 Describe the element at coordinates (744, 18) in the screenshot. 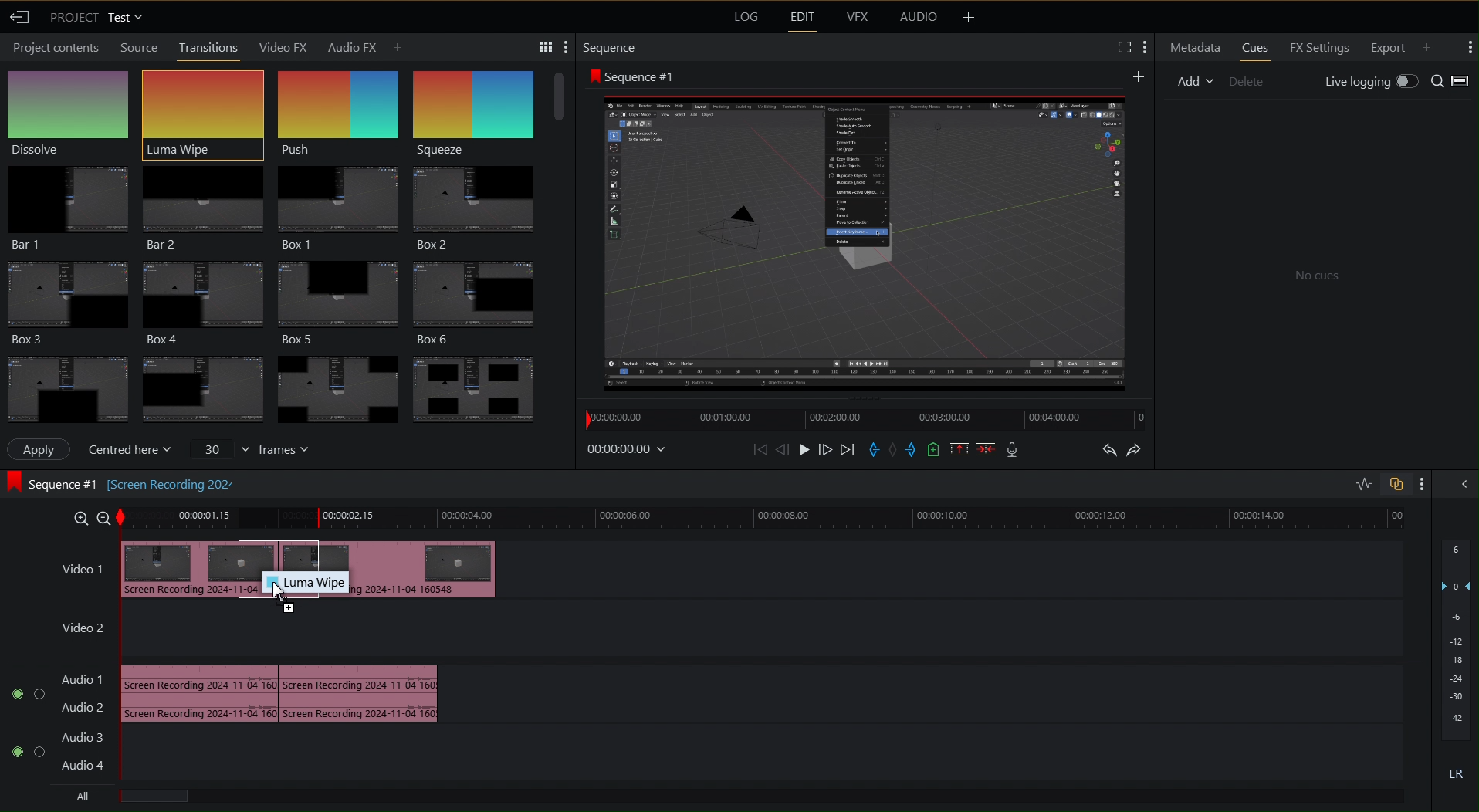

I see `Log` at that location.